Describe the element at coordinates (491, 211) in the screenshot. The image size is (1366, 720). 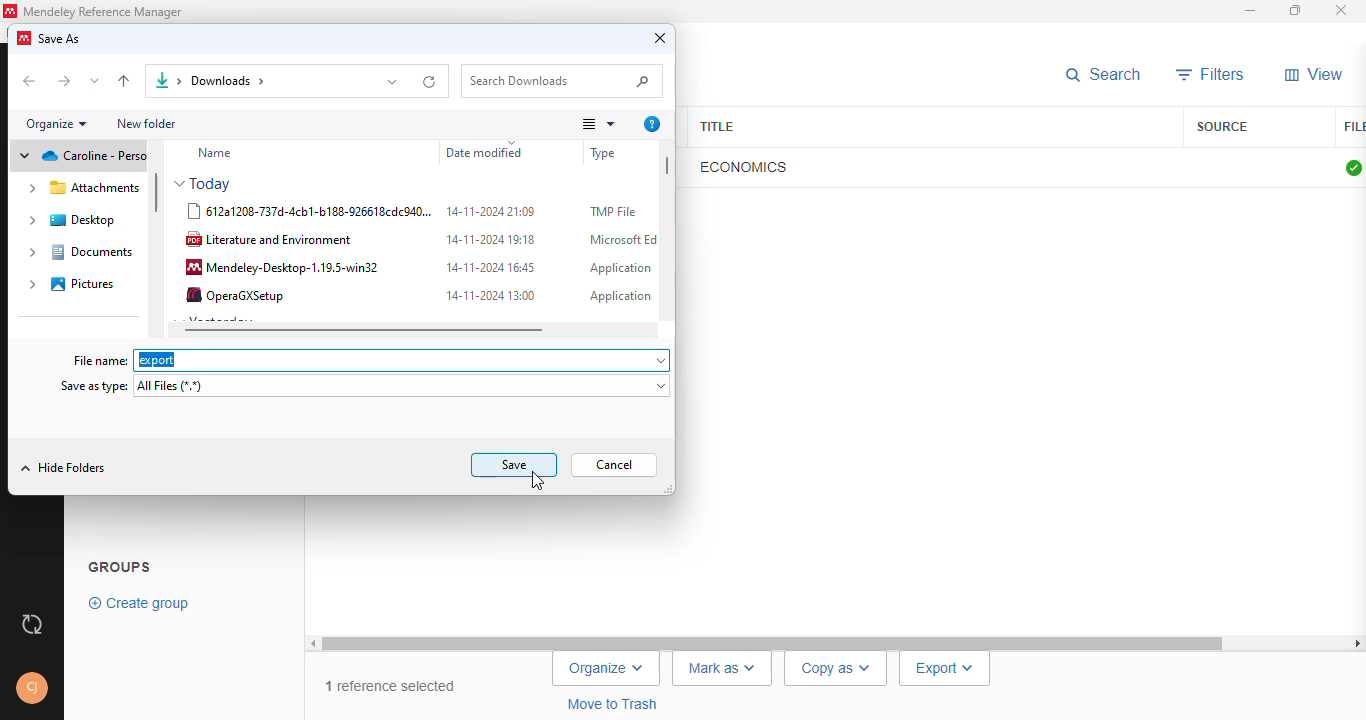
I see `14-11-2024 21:09` at that location.